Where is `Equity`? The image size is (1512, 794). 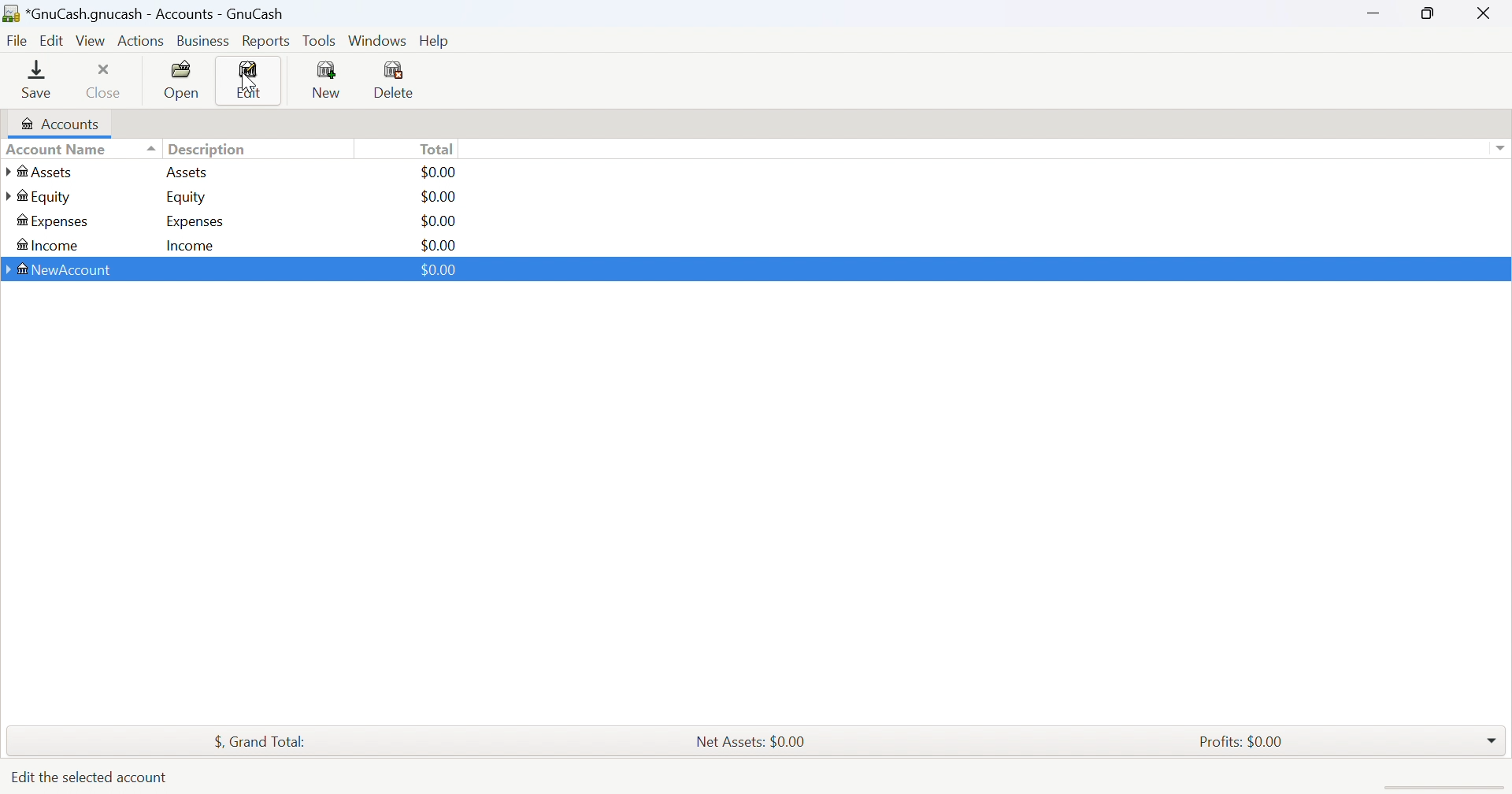
Equity is located at coordinates (39, 197).